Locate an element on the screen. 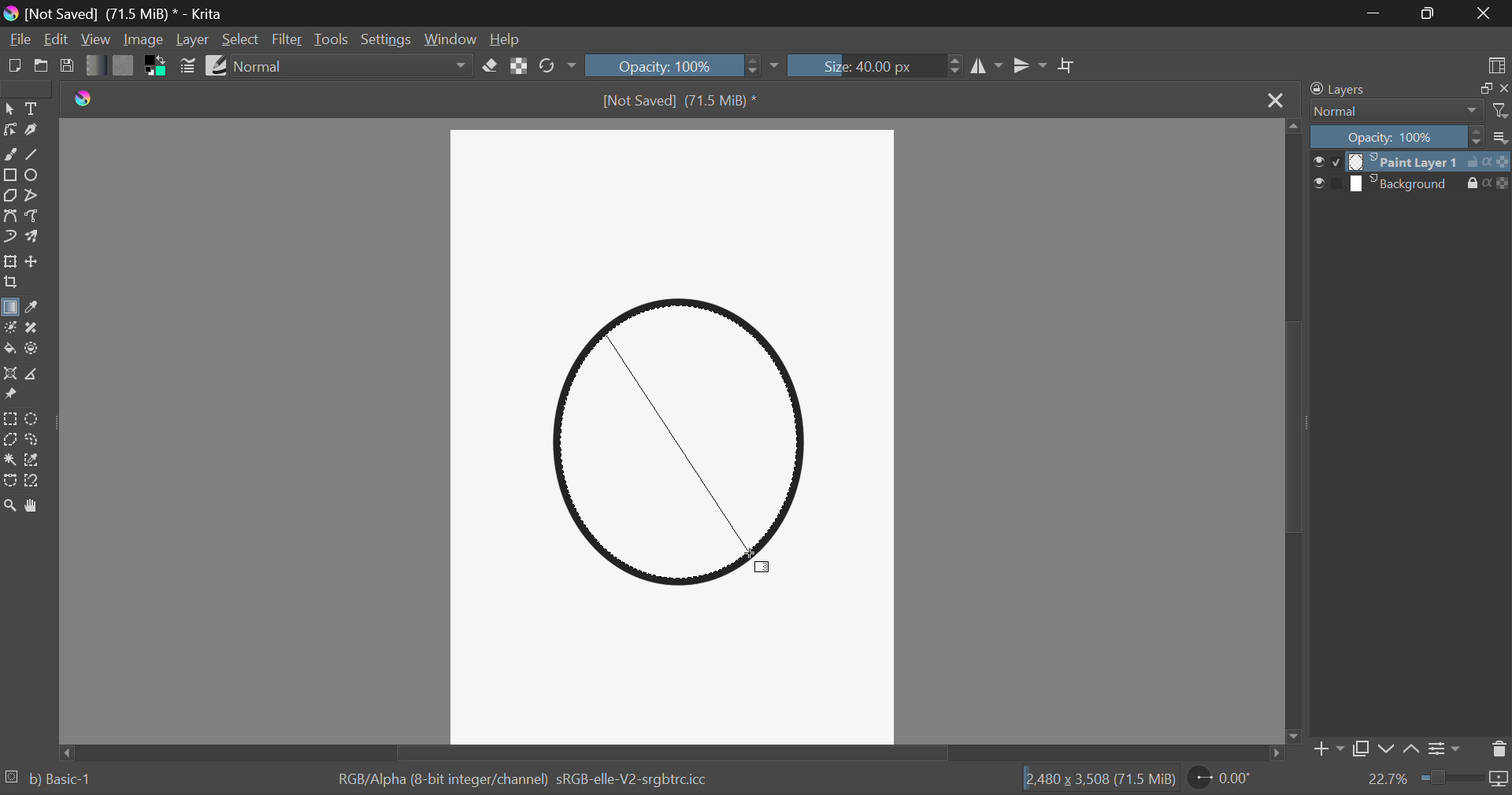 The height and width of the screenshot is (795, 1512). Move layer up is located at coordinates (1410, 749).